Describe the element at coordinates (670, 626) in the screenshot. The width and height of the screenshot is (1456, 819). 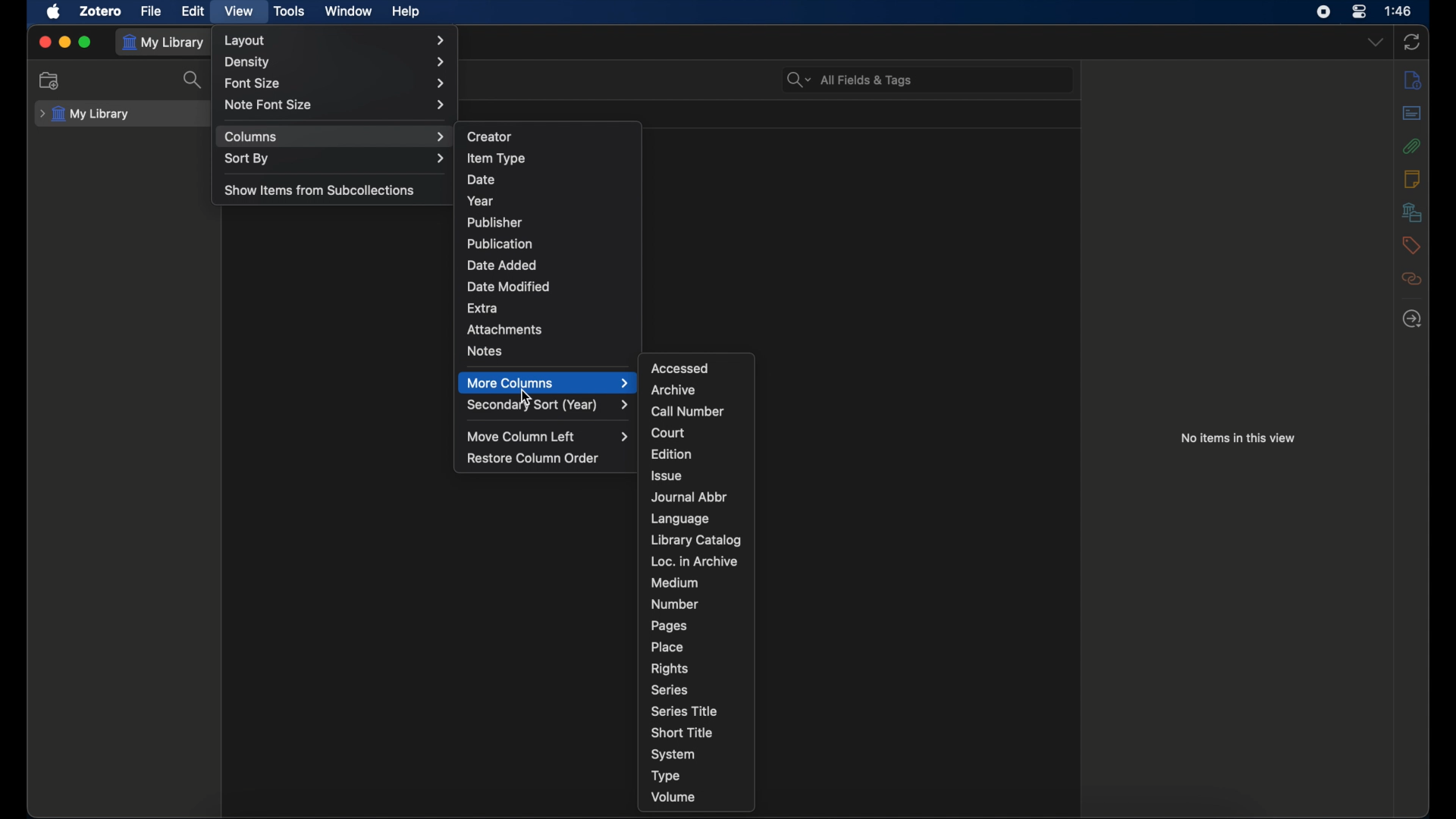
I see `pages` at that location.